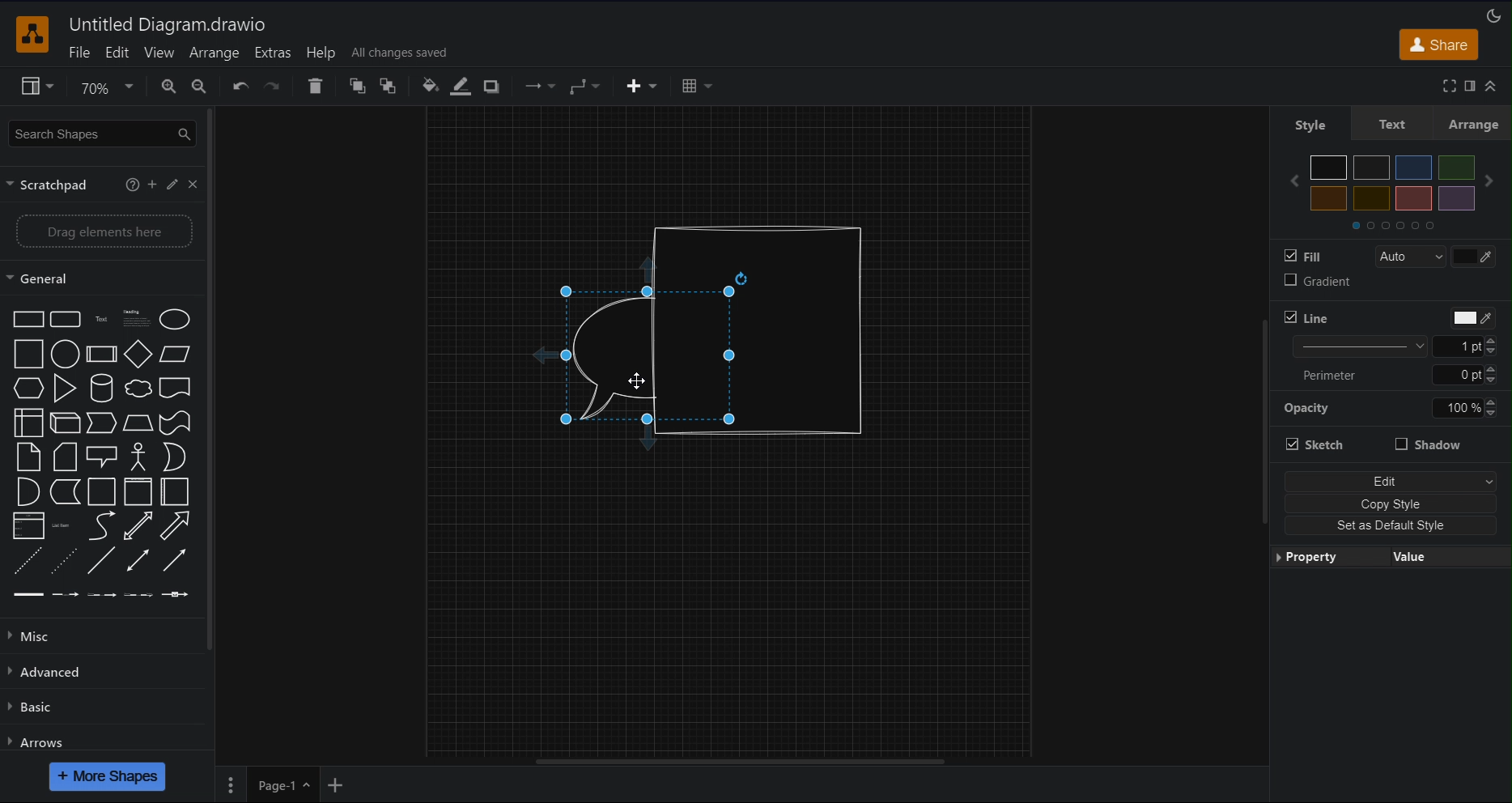  Describe the element at coordinates (1293, 181) in the screenshot. I see `Previous color set` at that location.